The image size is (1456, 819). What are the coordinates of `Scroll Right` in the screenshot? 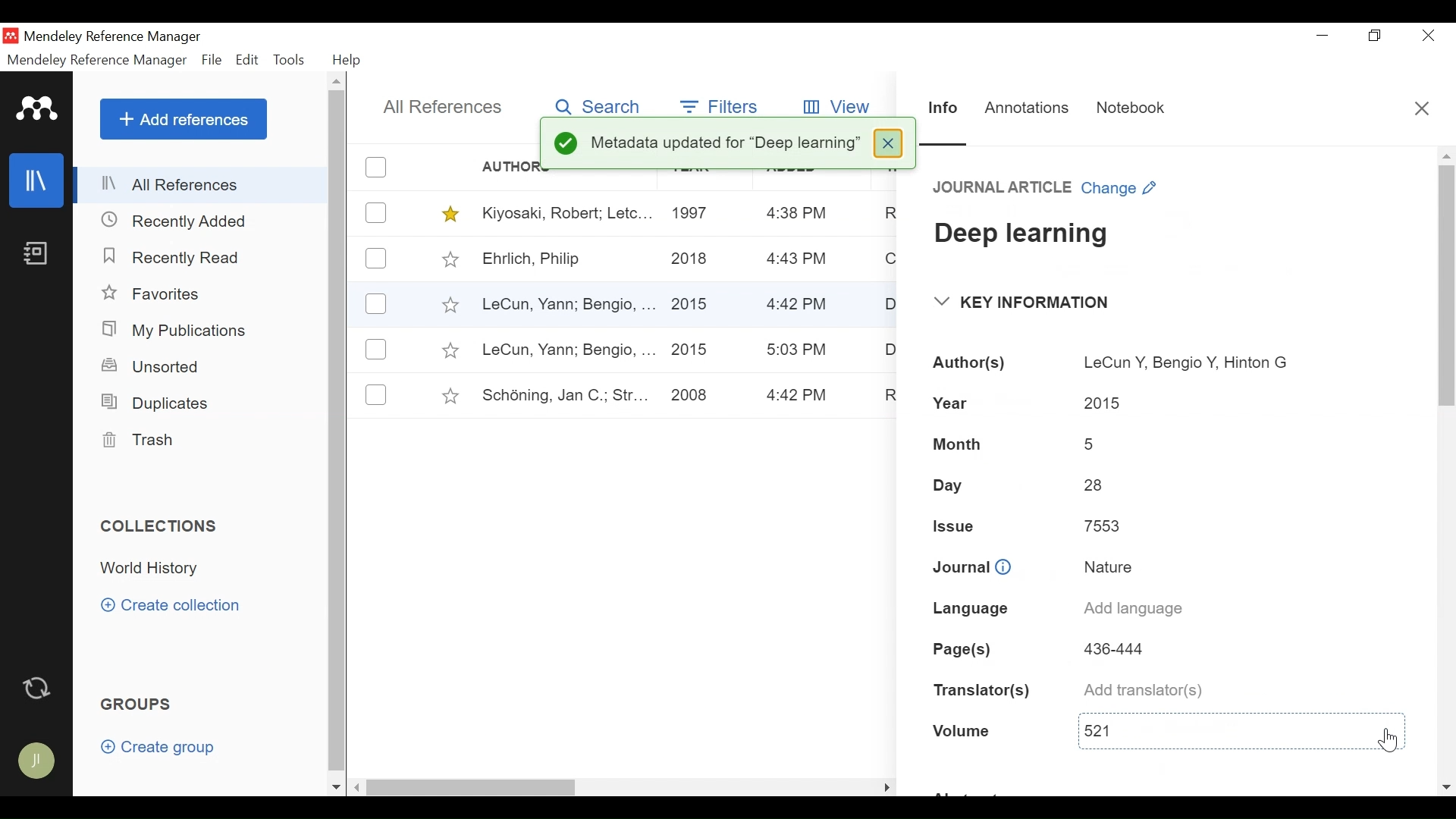 It's located at (1446, 787).